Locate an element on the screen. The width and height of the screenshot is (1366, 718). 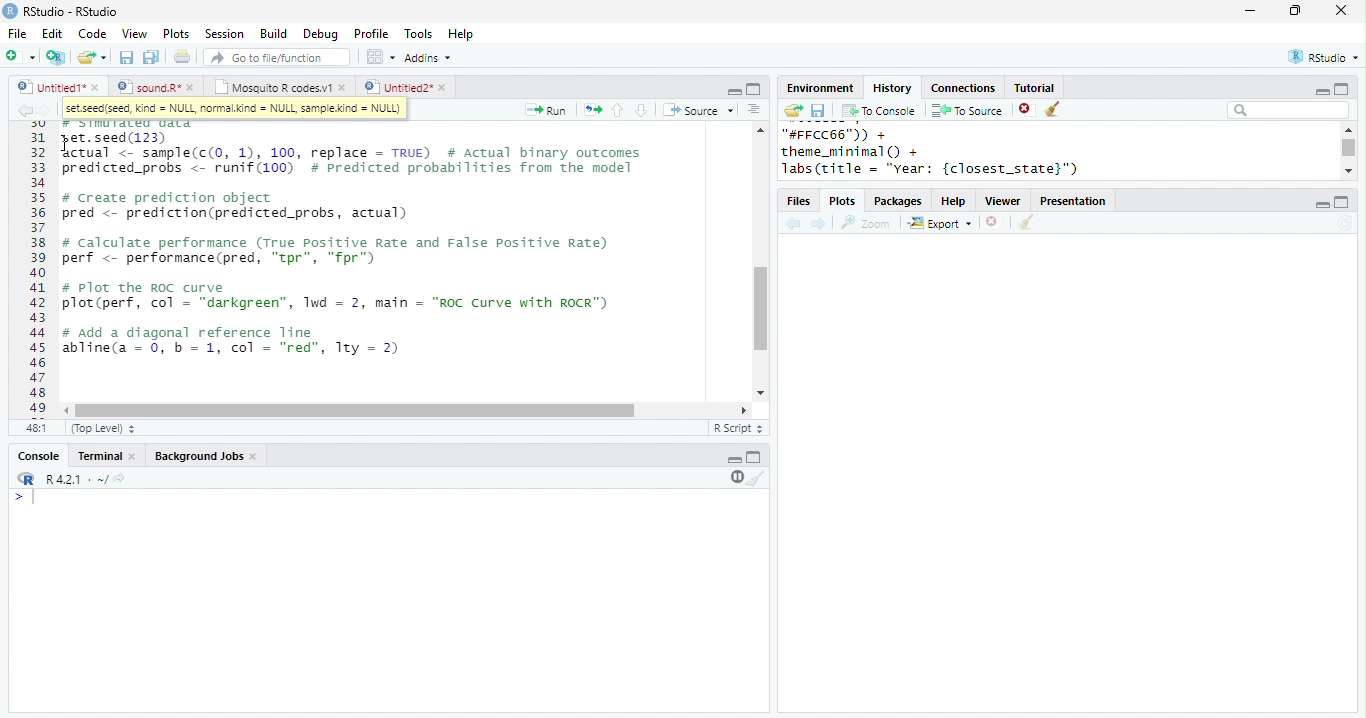
close is located at coordinates (1342, 10).